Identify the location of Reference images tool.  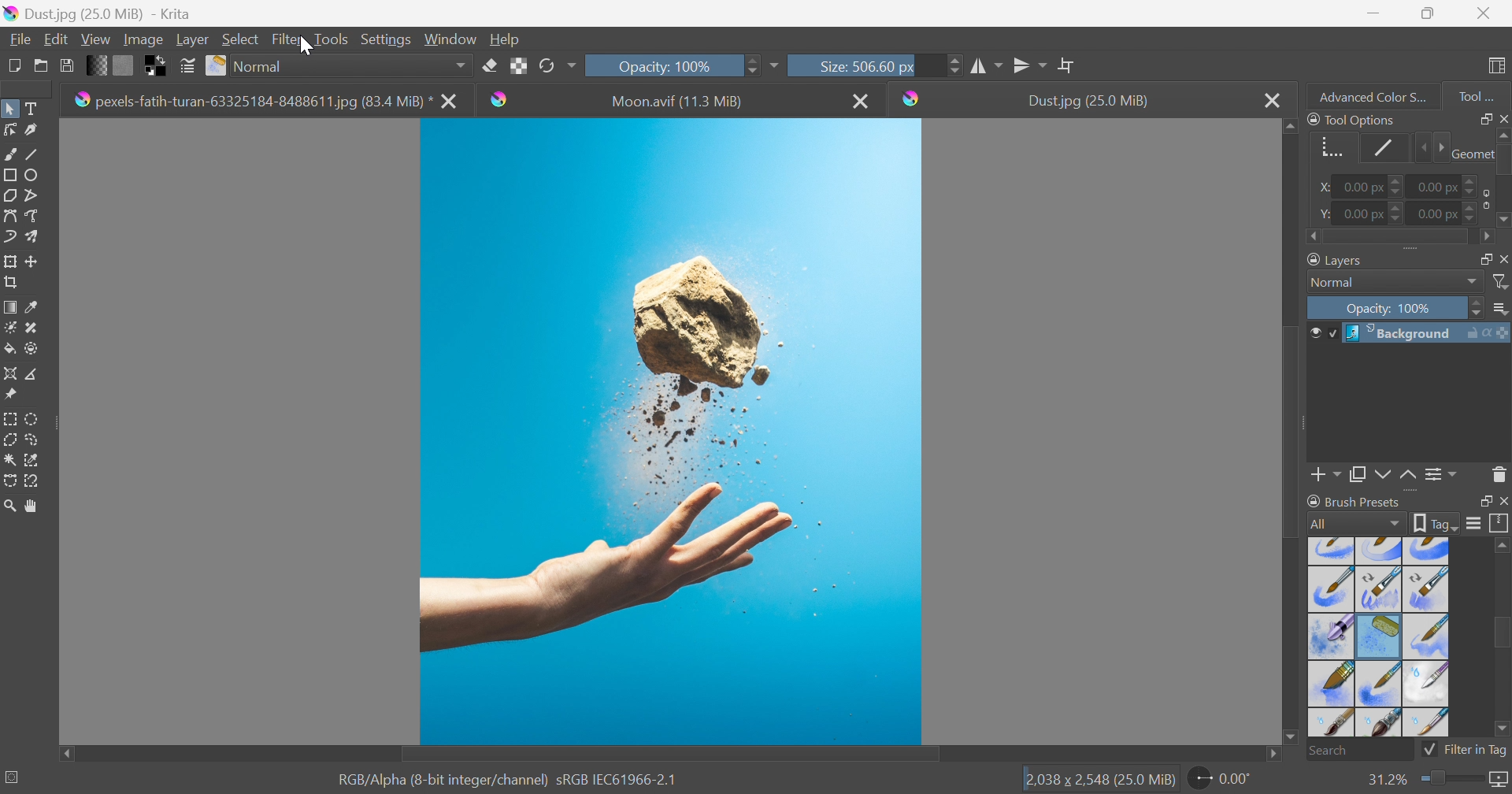
(9, 393).